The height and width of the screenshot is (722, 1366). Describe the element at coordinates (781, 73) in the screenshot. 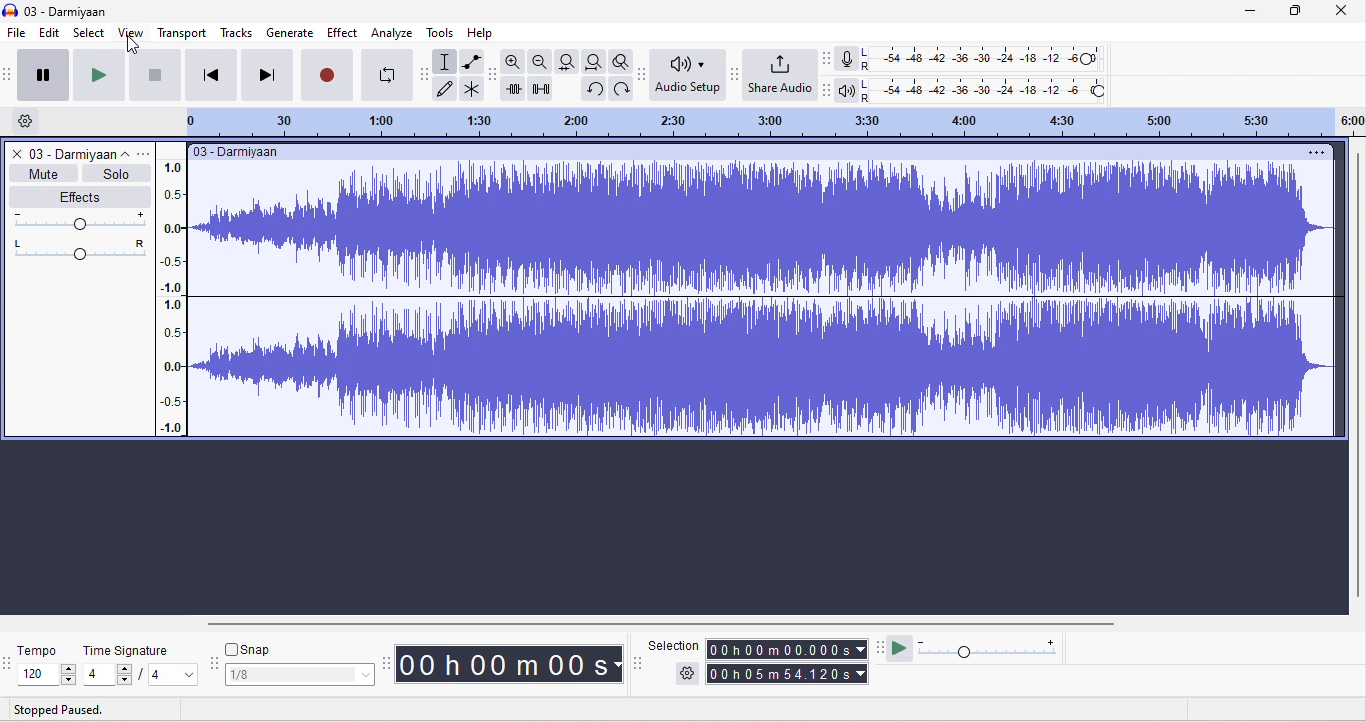

I see `share audio ` at that location.